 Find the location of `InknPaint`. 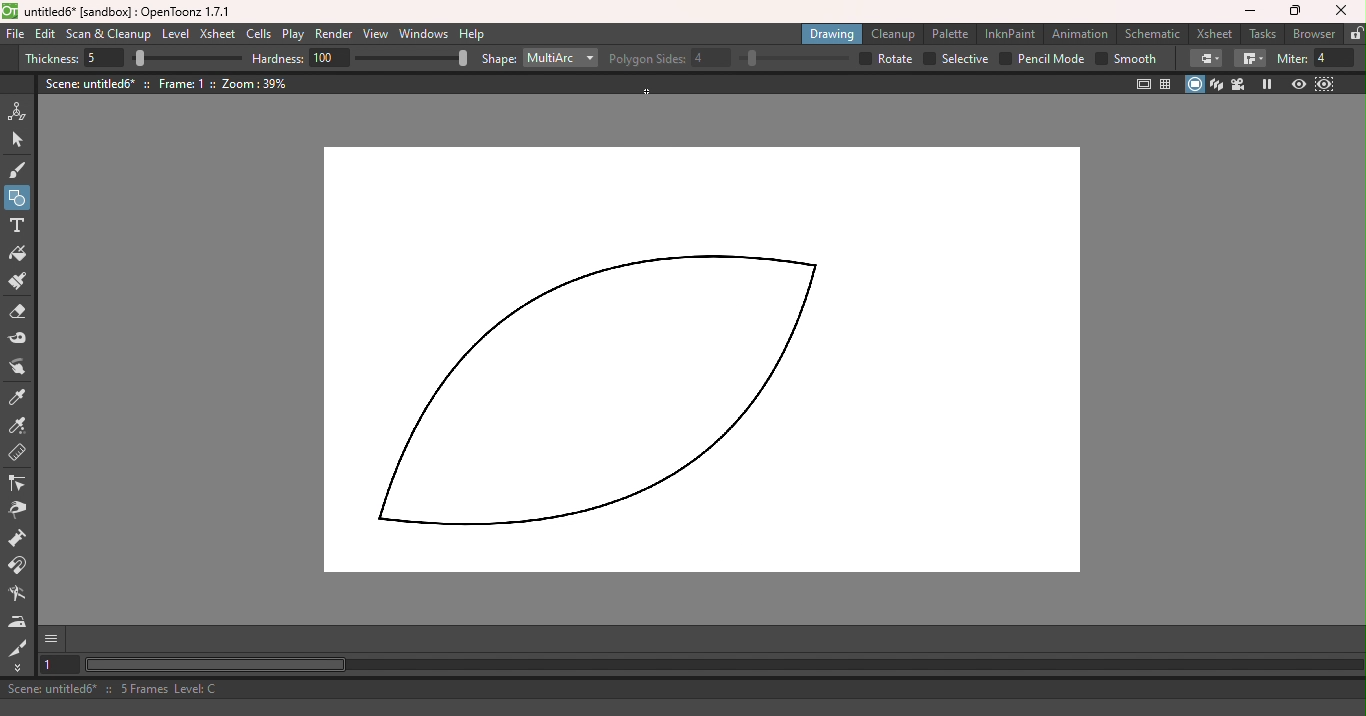

InknPaint is located at coordinates (1010, 34).